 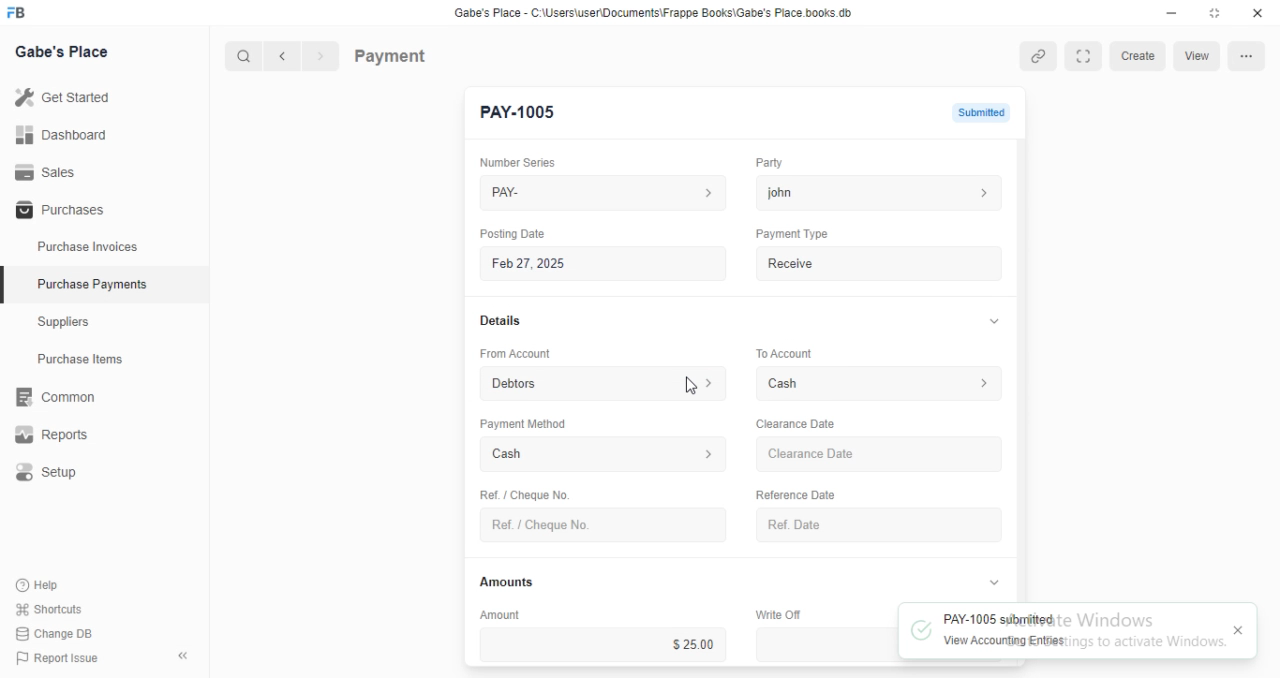 I want to click on Create, so click(x=1139, y=56).